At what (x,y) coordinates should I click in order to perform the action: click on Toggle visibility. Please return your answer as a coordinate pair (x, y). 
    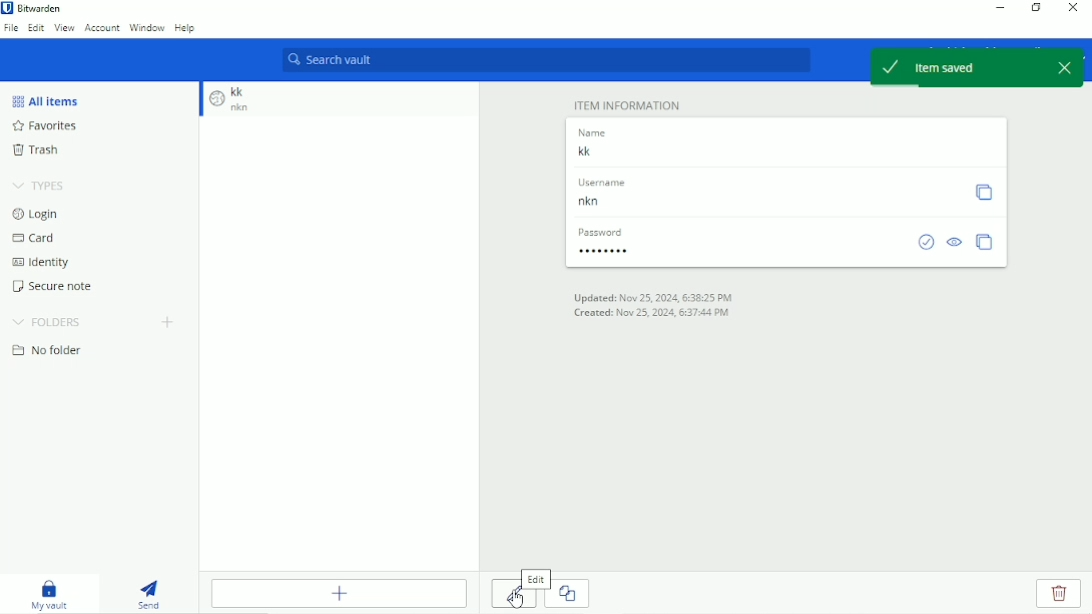
    Looking at the image, I should click on (956, 243).